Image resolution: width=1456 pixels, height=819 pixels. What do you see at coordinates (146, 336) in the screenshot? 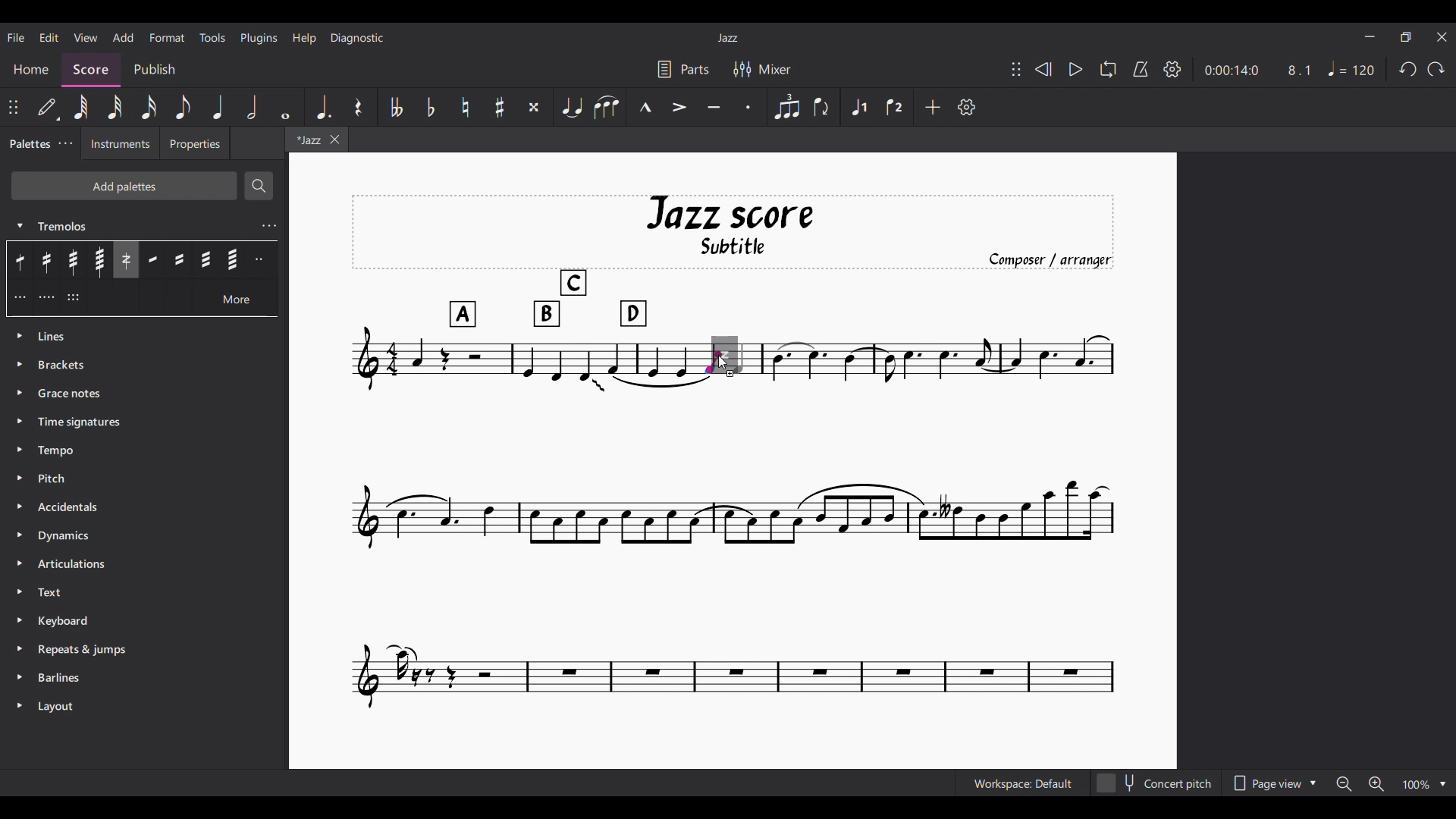
I see `Lines` at bounding box center [146, 336].